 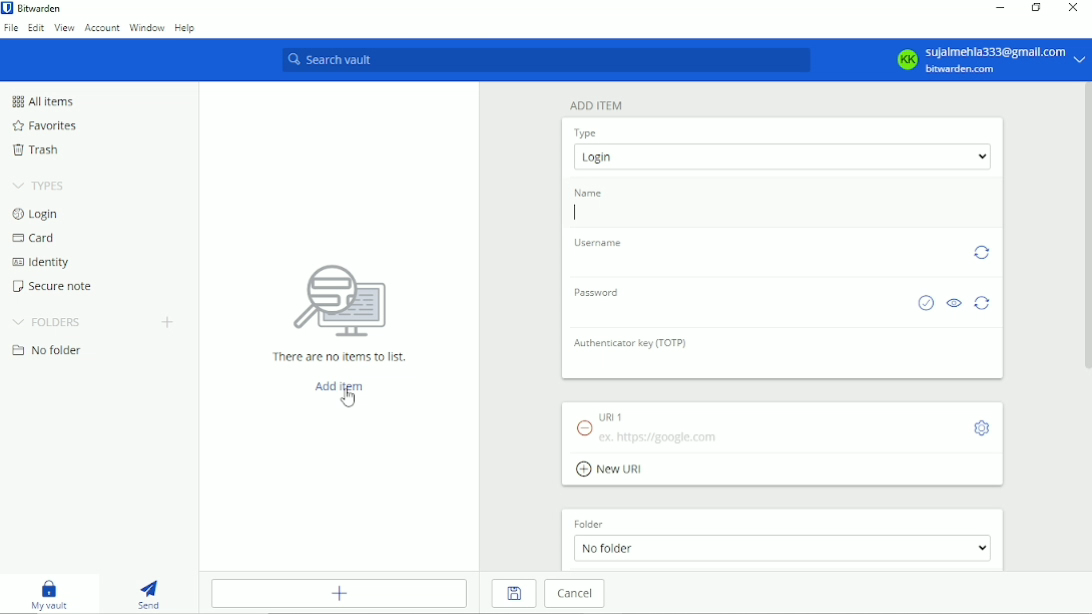 What do you see at coordinates (575, 593) in the screenshot?
I see `Cancel` at bounding box center [575, 593].